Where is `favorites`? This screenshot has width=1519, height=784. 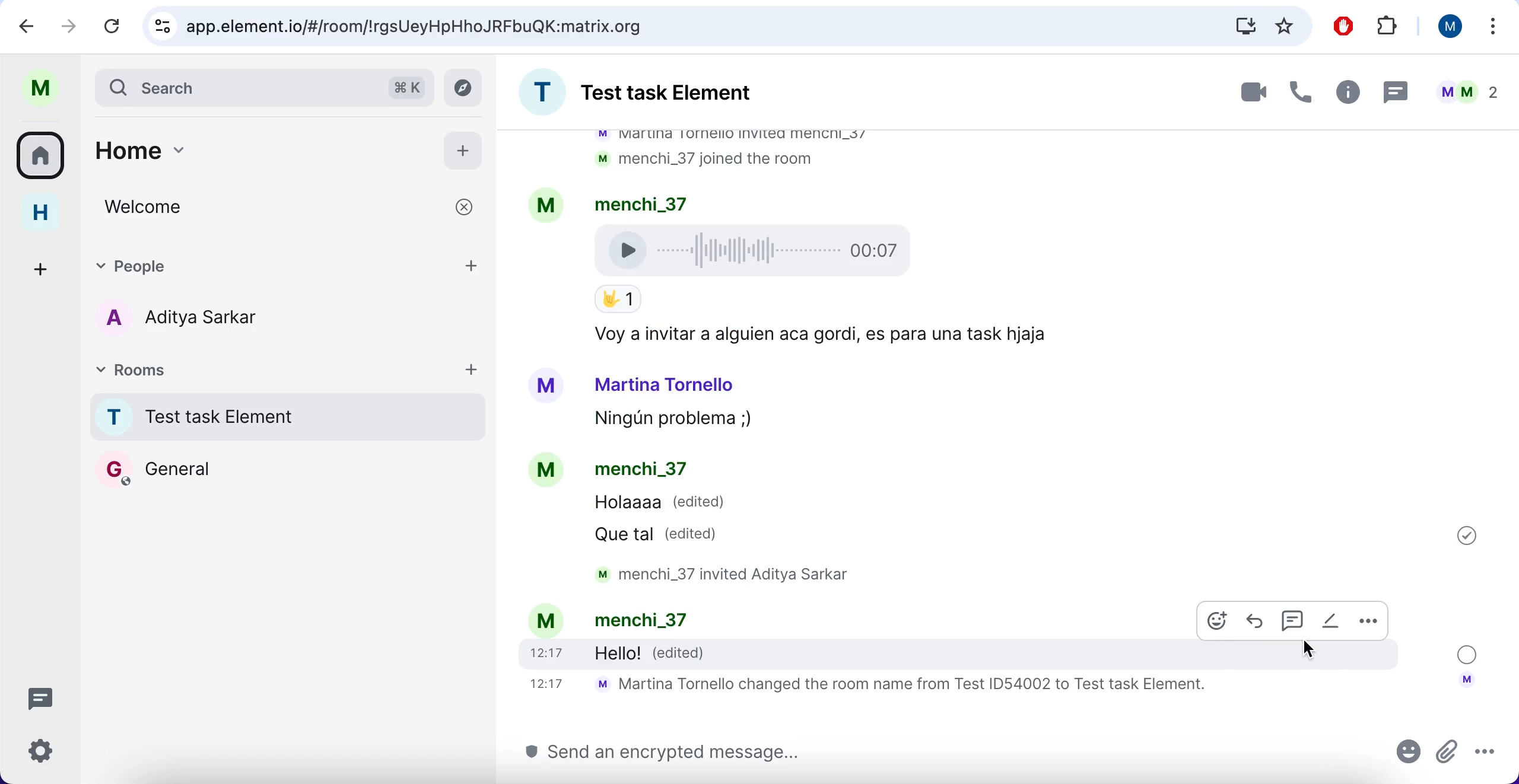 favorites is located at coordinates (1286, 25).